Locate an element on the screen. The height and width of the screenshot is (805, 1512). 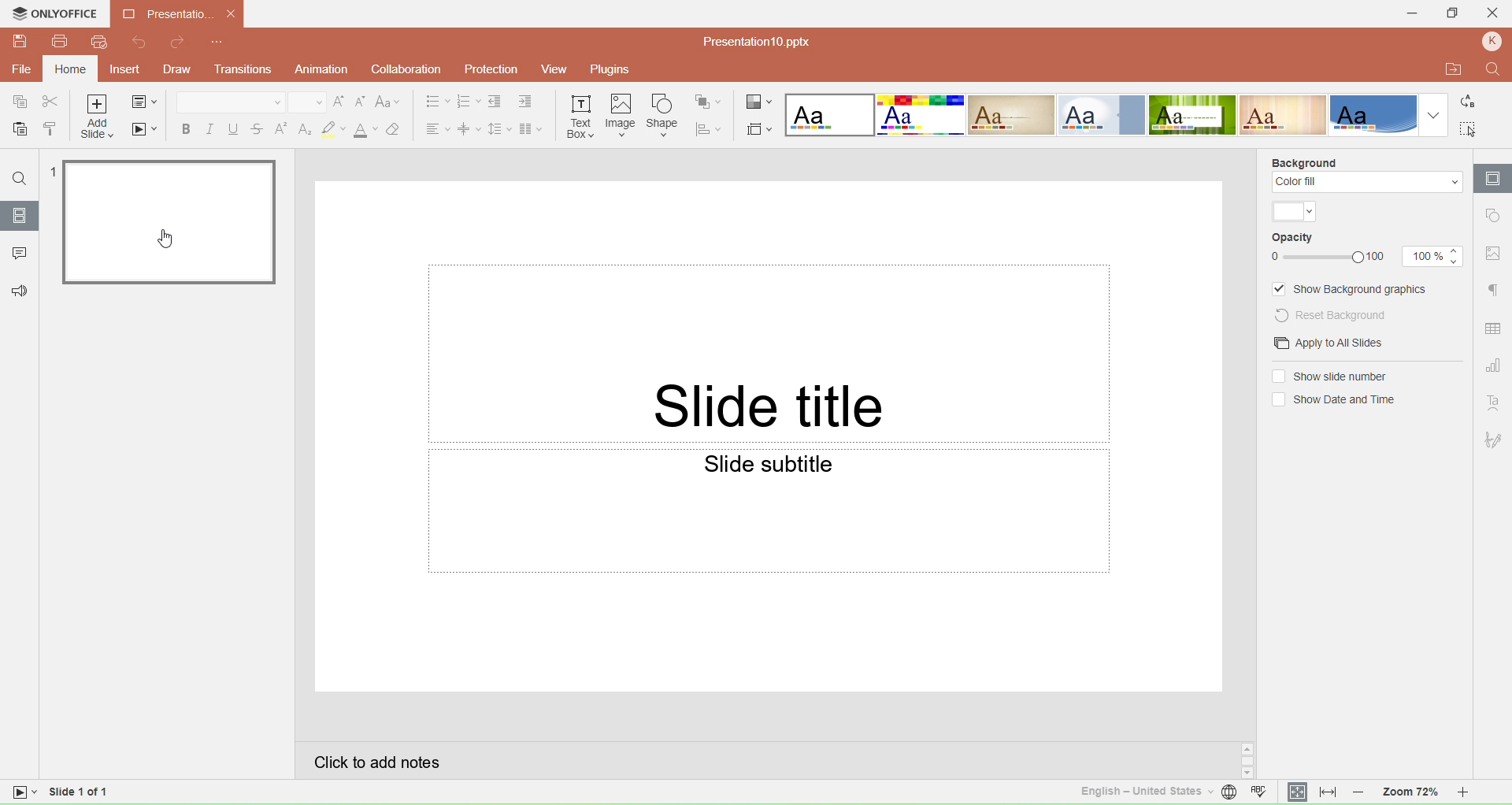
Slide setting is located at coordinates (1492, 178).